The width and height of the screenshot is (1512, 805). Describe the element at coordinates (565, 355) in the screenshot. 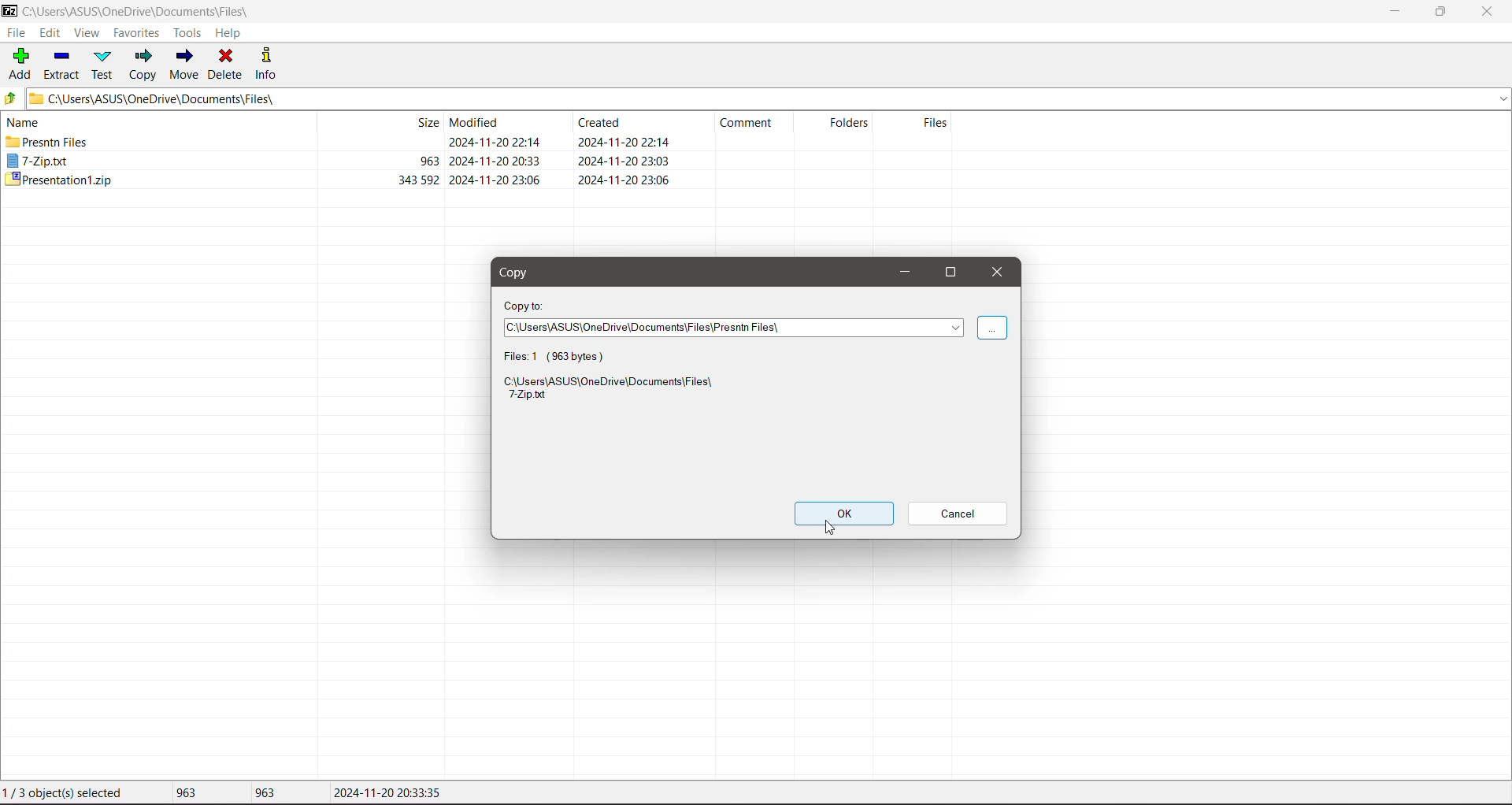

I see `File selection` at that location.